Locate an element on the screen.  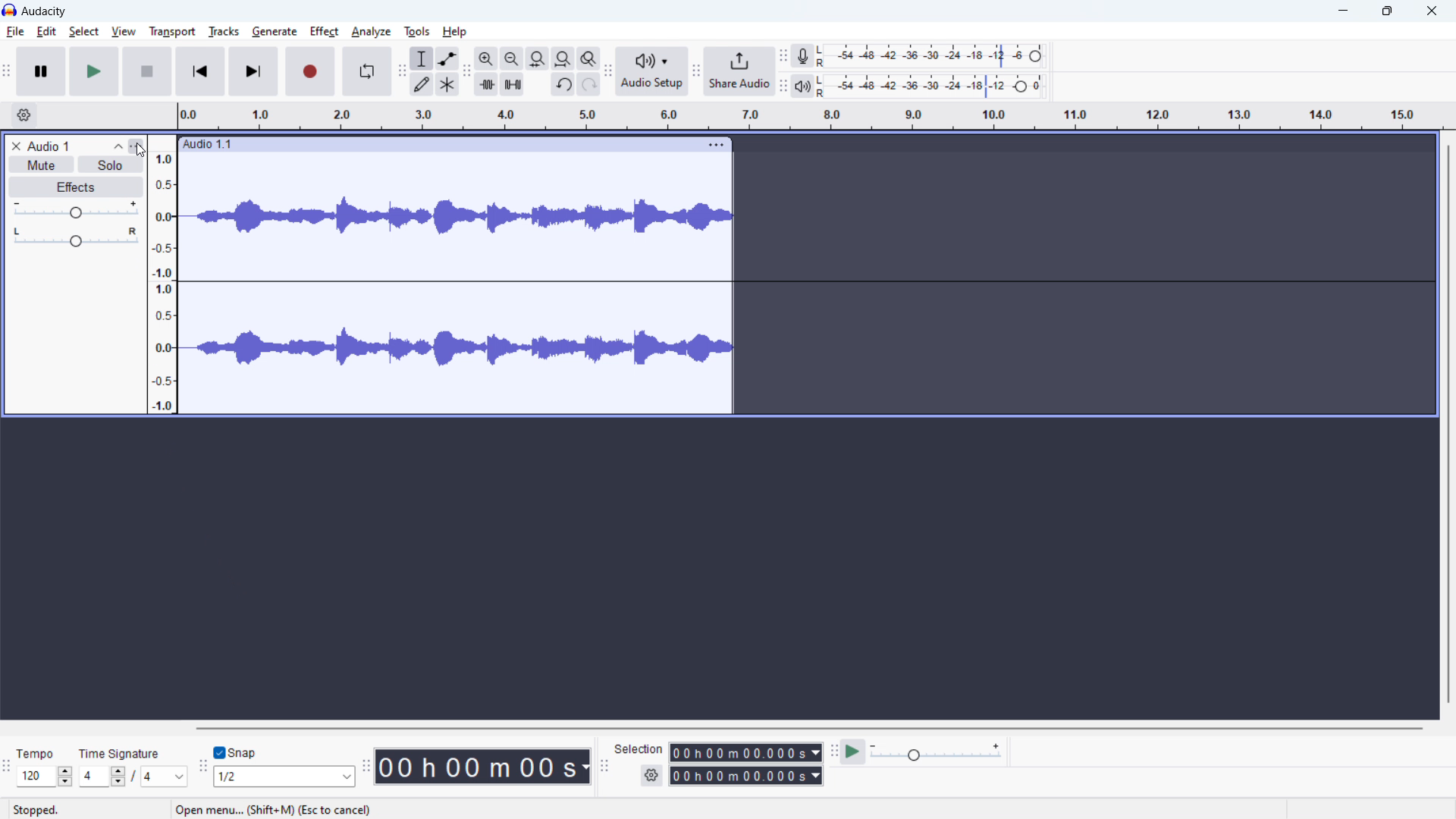
transport is located at coordinates (171, 31).